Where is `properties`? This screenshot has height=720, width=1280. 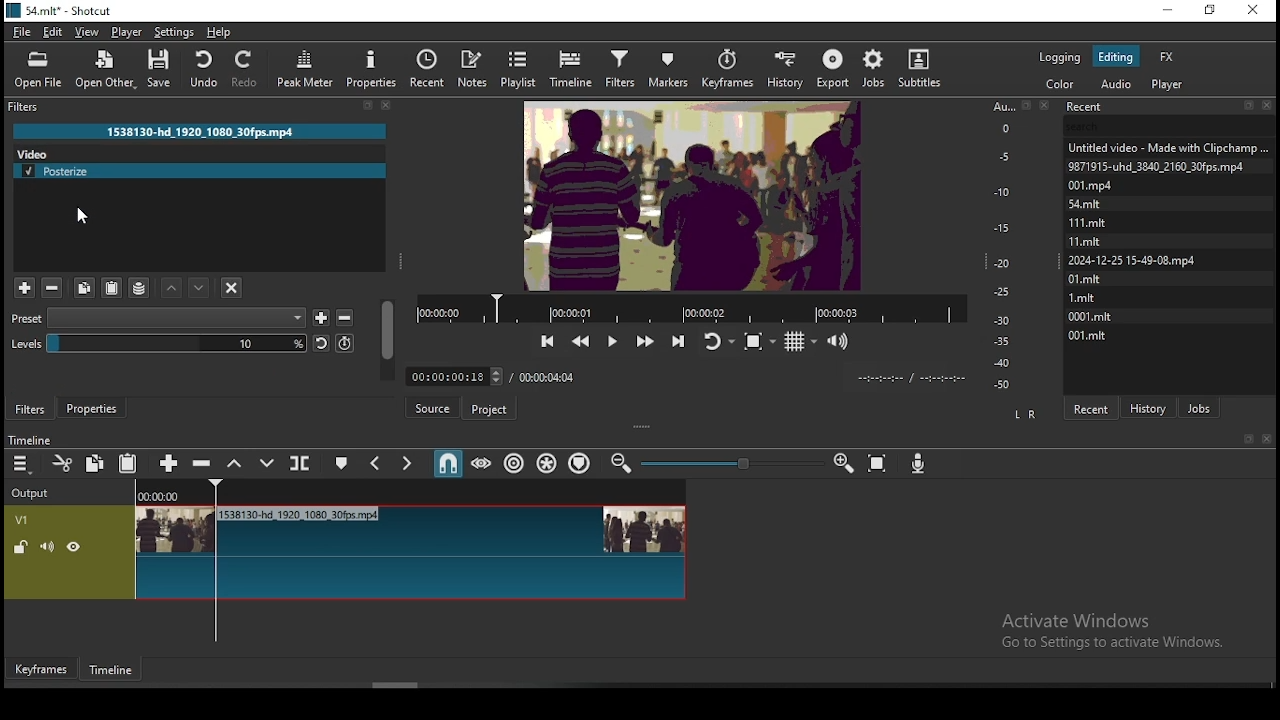 properties is located at coordinates (95, 409).